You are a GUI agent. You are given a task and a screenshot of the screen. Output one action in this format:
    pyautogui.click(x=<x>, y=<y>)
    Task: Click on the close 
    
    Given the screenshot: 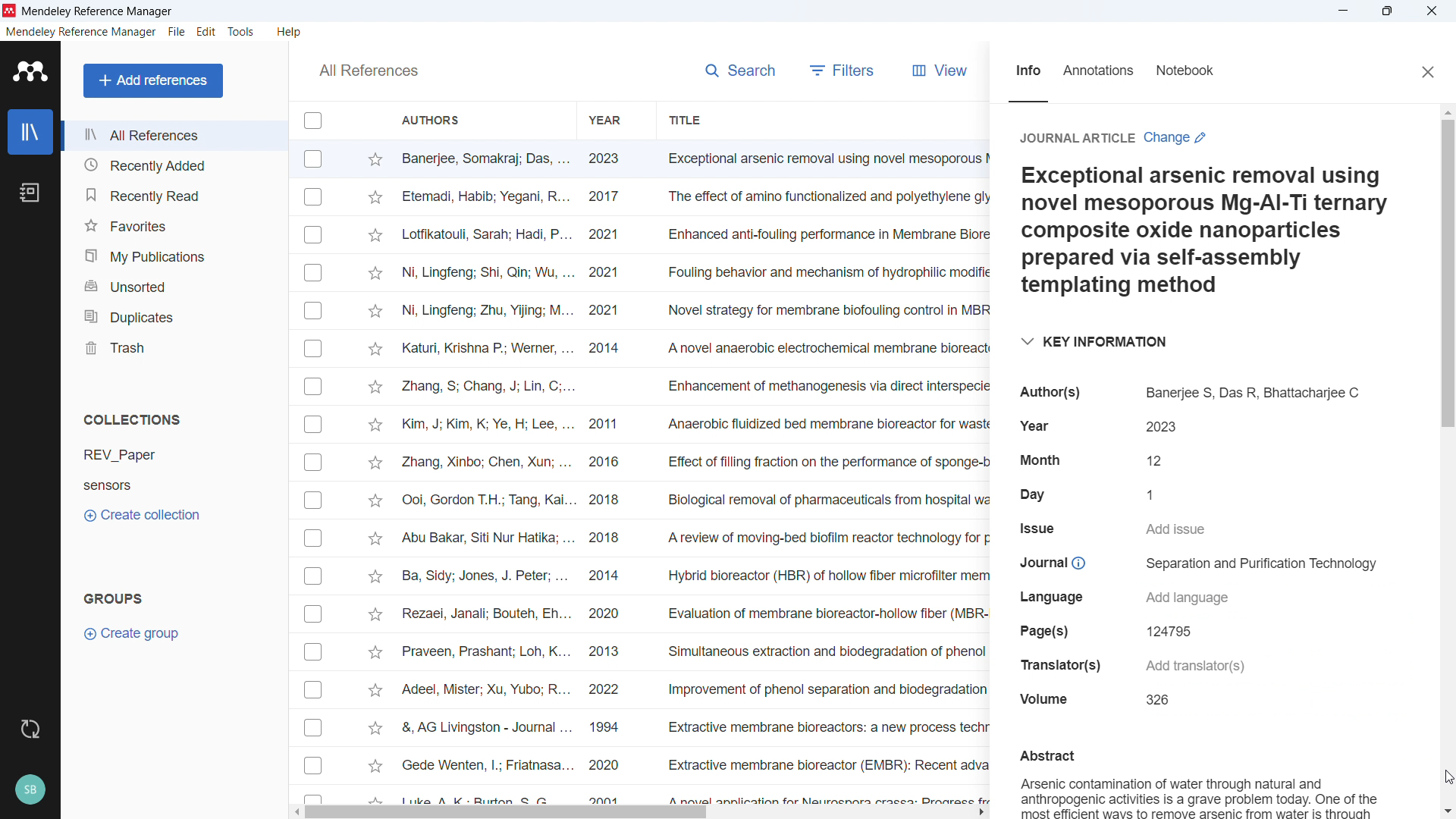 What is the action you would take?
    pyautogui.click(x=1430, y=11)
    